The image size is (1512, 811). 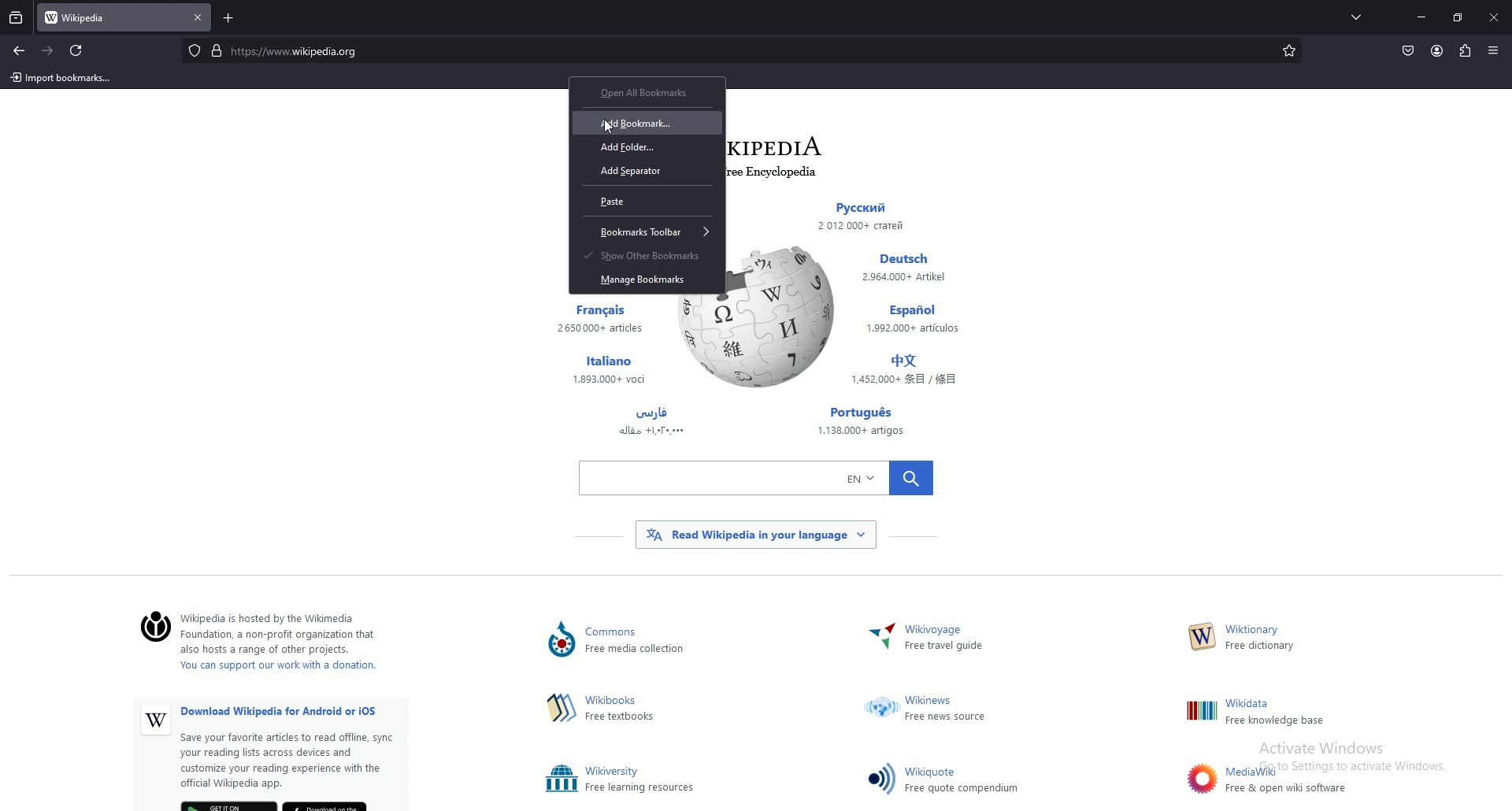 What do you see at coordinates (194, 50) in the screenshot?
I see `protected` at bounding box center [194, 50].